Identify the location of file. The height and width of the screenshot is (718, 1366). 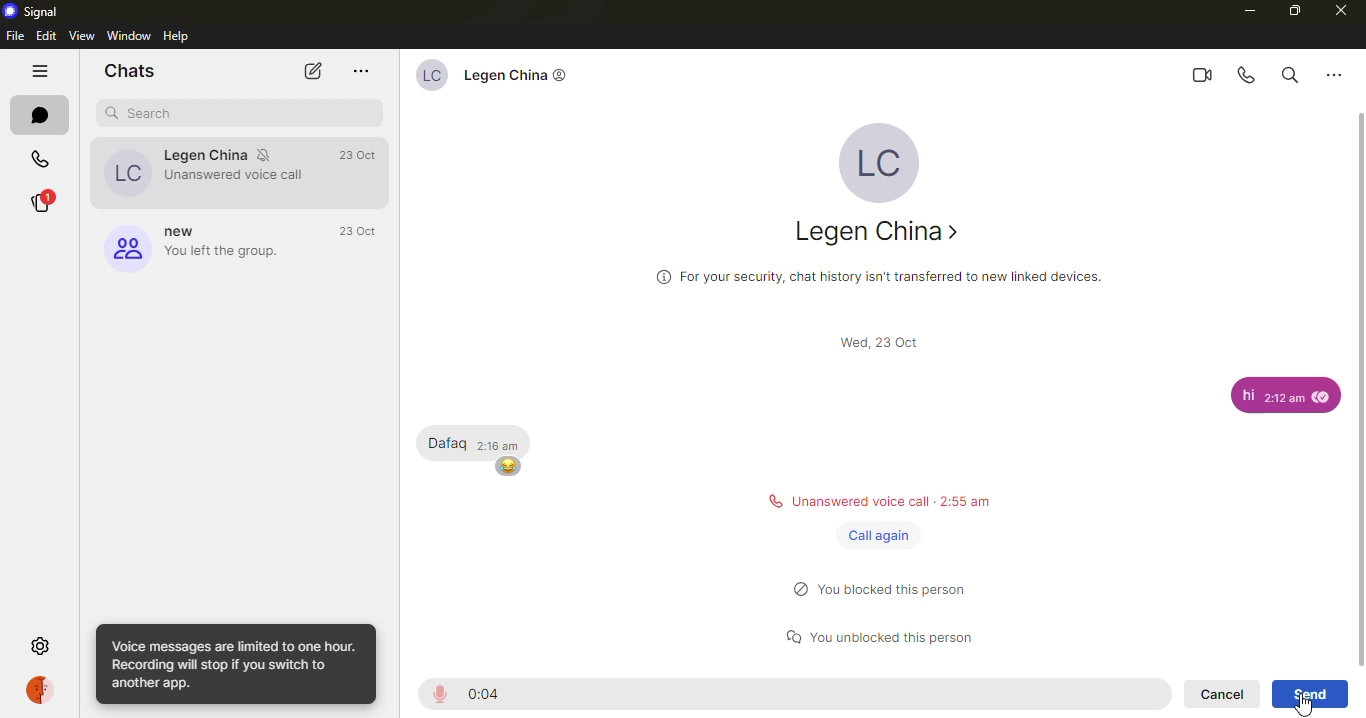
(16, 35).